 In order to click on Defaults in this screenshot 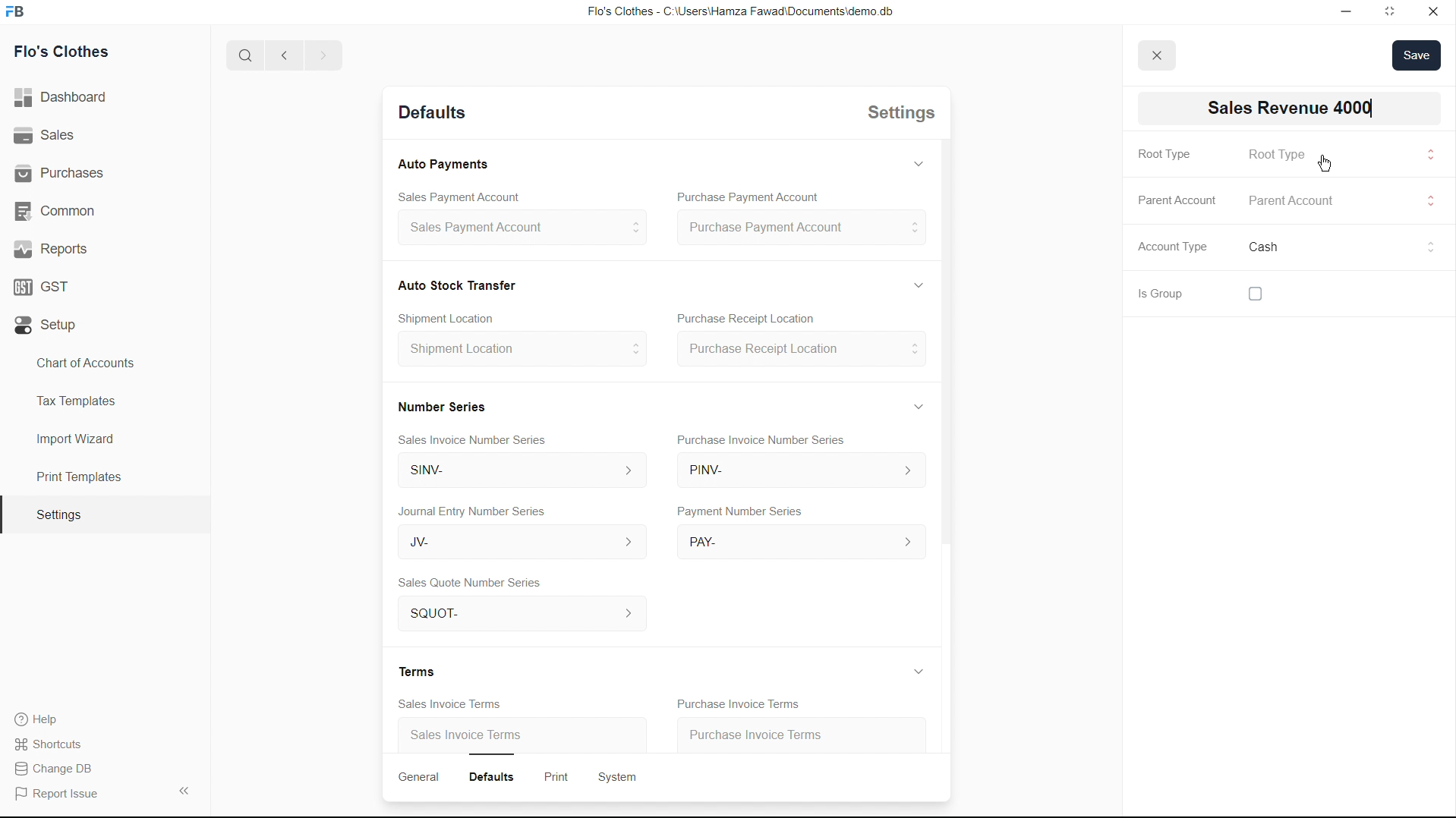, I will do `click(498, 775)`.